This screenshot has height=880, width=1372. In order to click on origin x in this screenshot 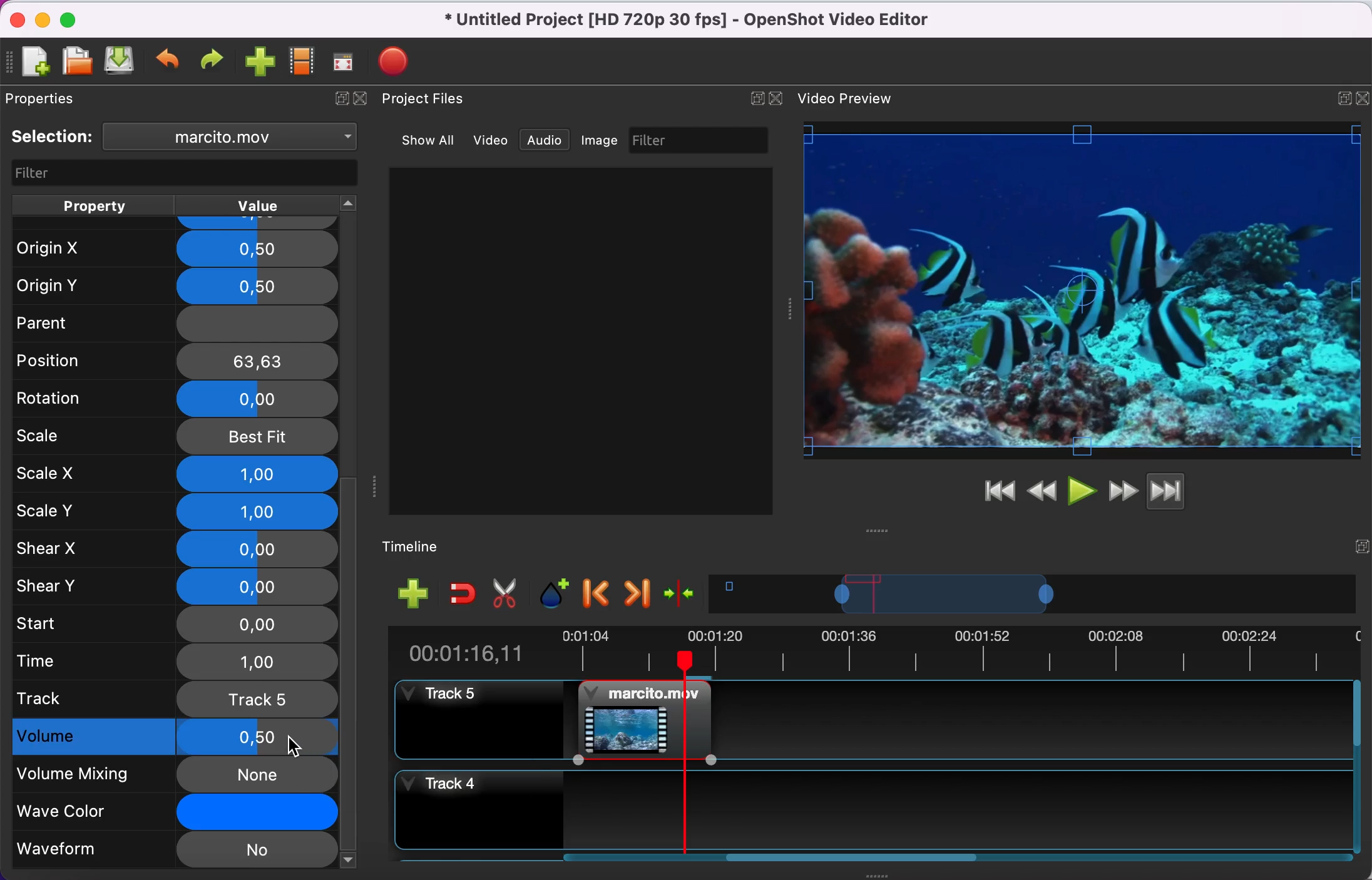, I will do `click(171, 244)`.